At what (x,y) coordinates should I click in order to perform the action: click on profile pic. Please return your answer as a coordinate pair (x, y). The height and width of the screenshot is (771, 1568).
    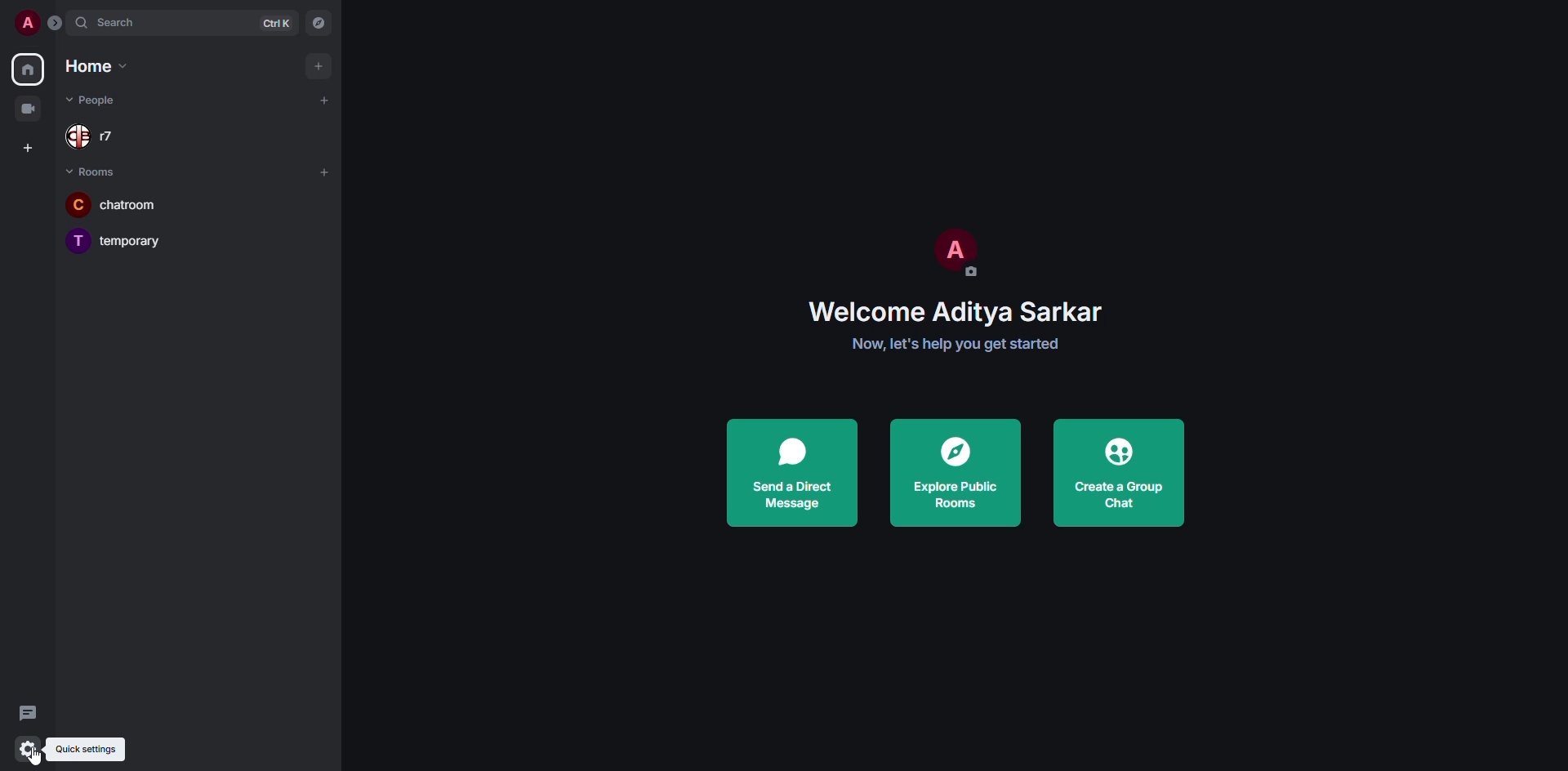
    Looking at the image, I should click on (954, 253).